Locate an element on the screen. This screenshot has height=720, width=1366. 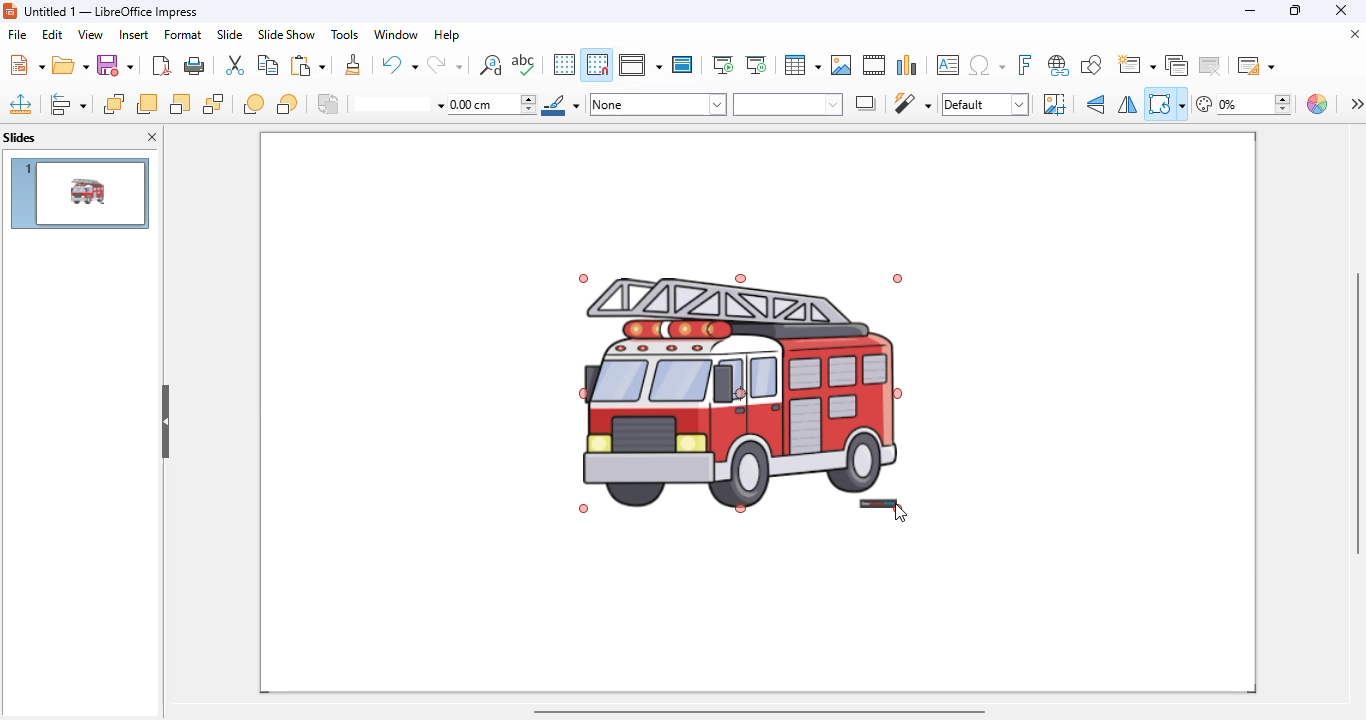
insert text box is located at coordinates (947, 65).